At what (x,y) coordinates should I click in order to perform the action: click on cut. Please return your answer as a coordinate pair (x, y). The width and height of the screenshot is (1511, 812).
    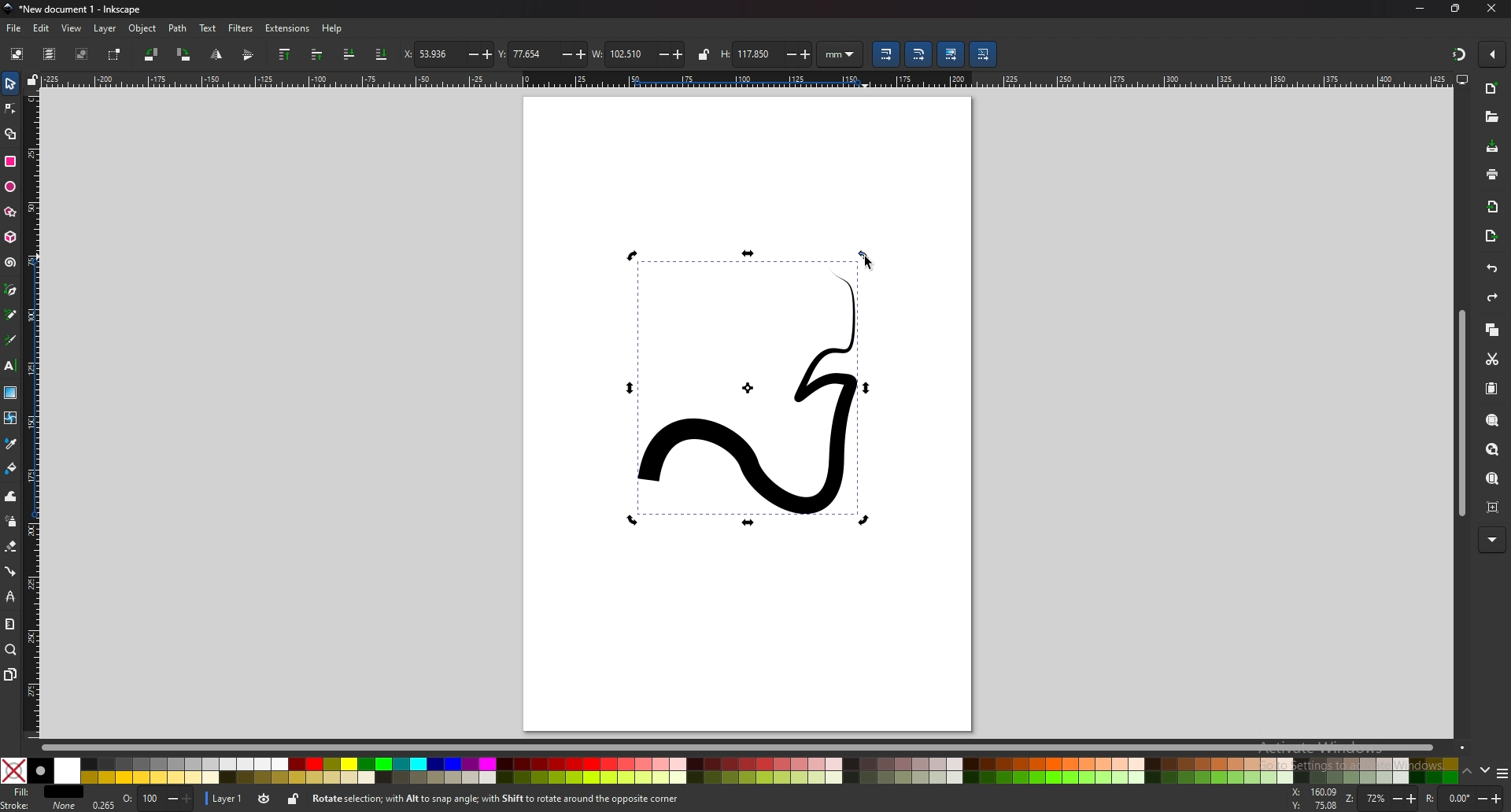
    Looking at the image, I should click on (1492, 360).